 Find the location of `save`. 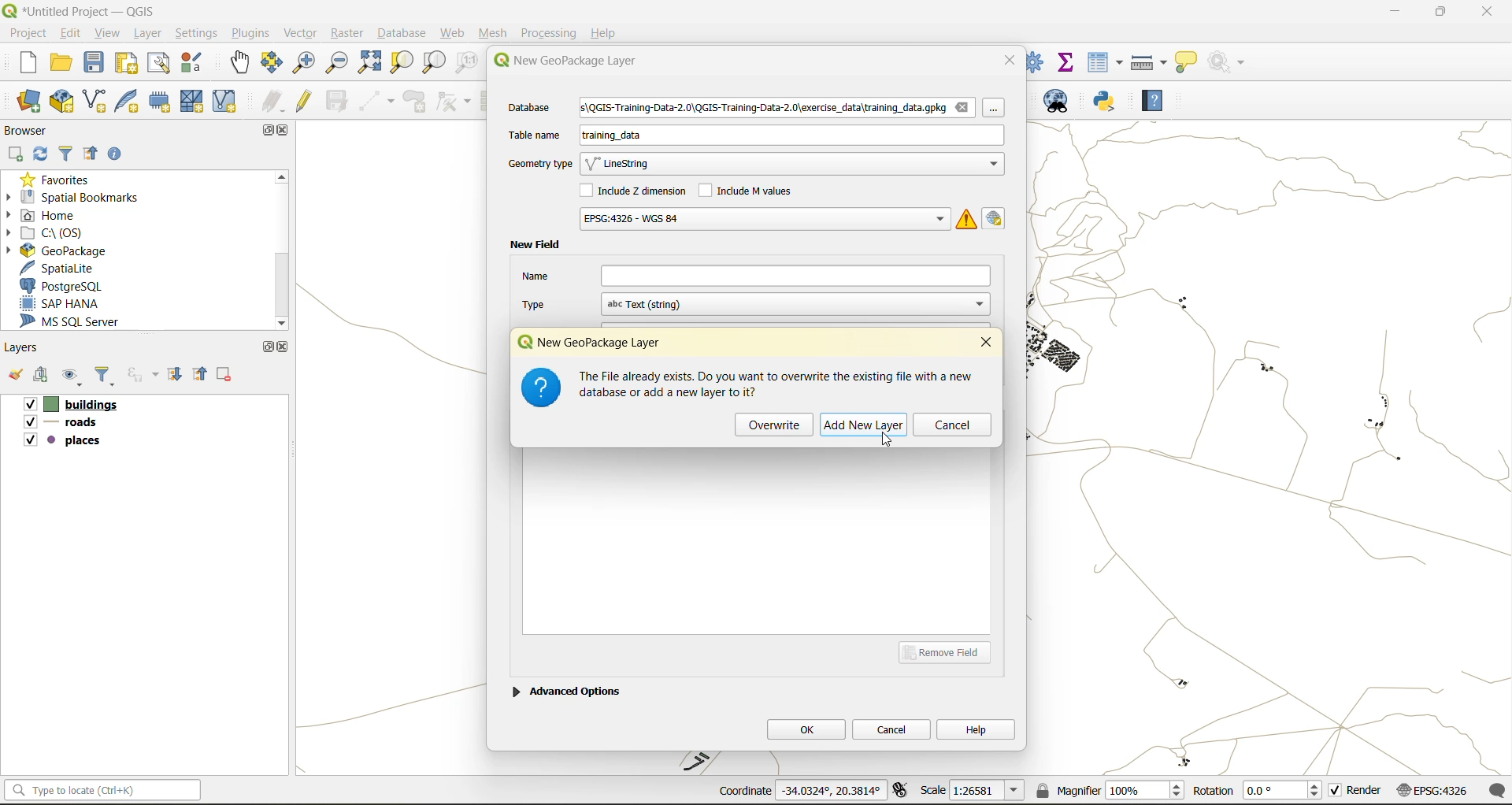

save is located at coordinates (95, 66).